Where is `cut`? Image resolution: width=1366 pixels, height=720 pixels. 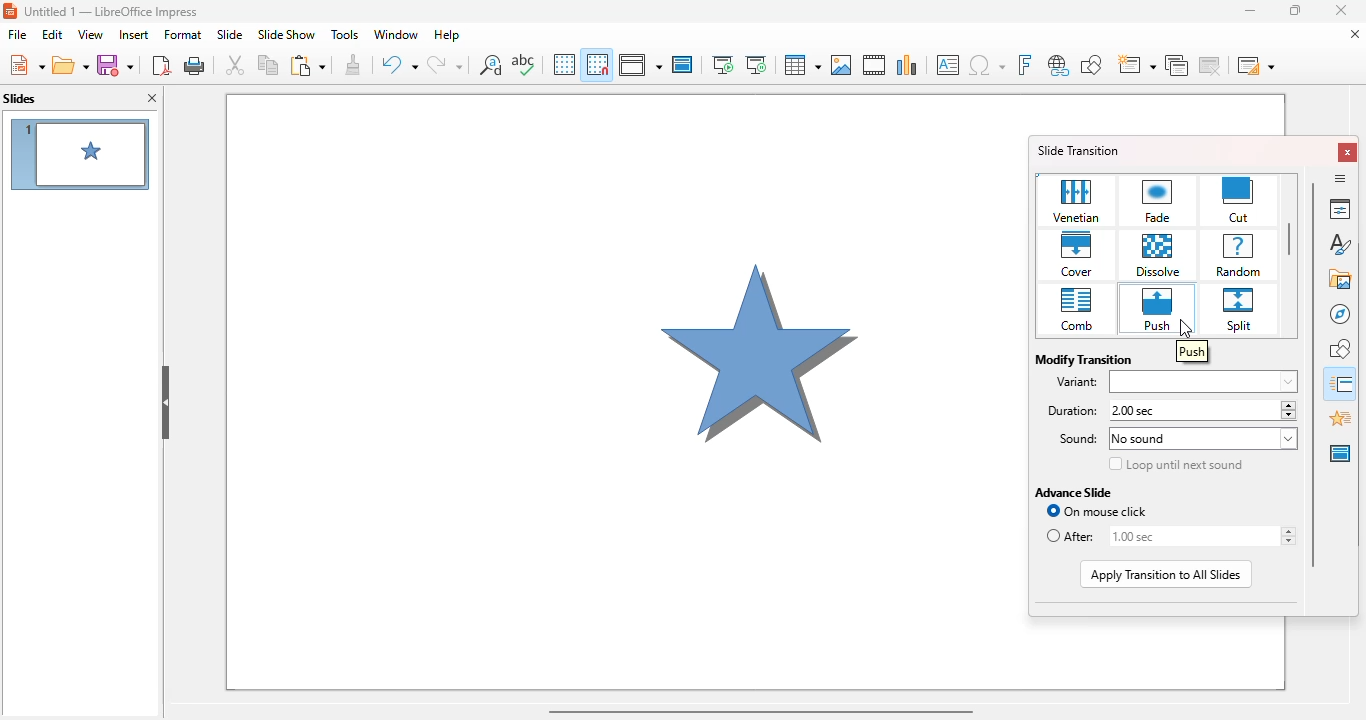
cut is located at coordinates (235, 64).